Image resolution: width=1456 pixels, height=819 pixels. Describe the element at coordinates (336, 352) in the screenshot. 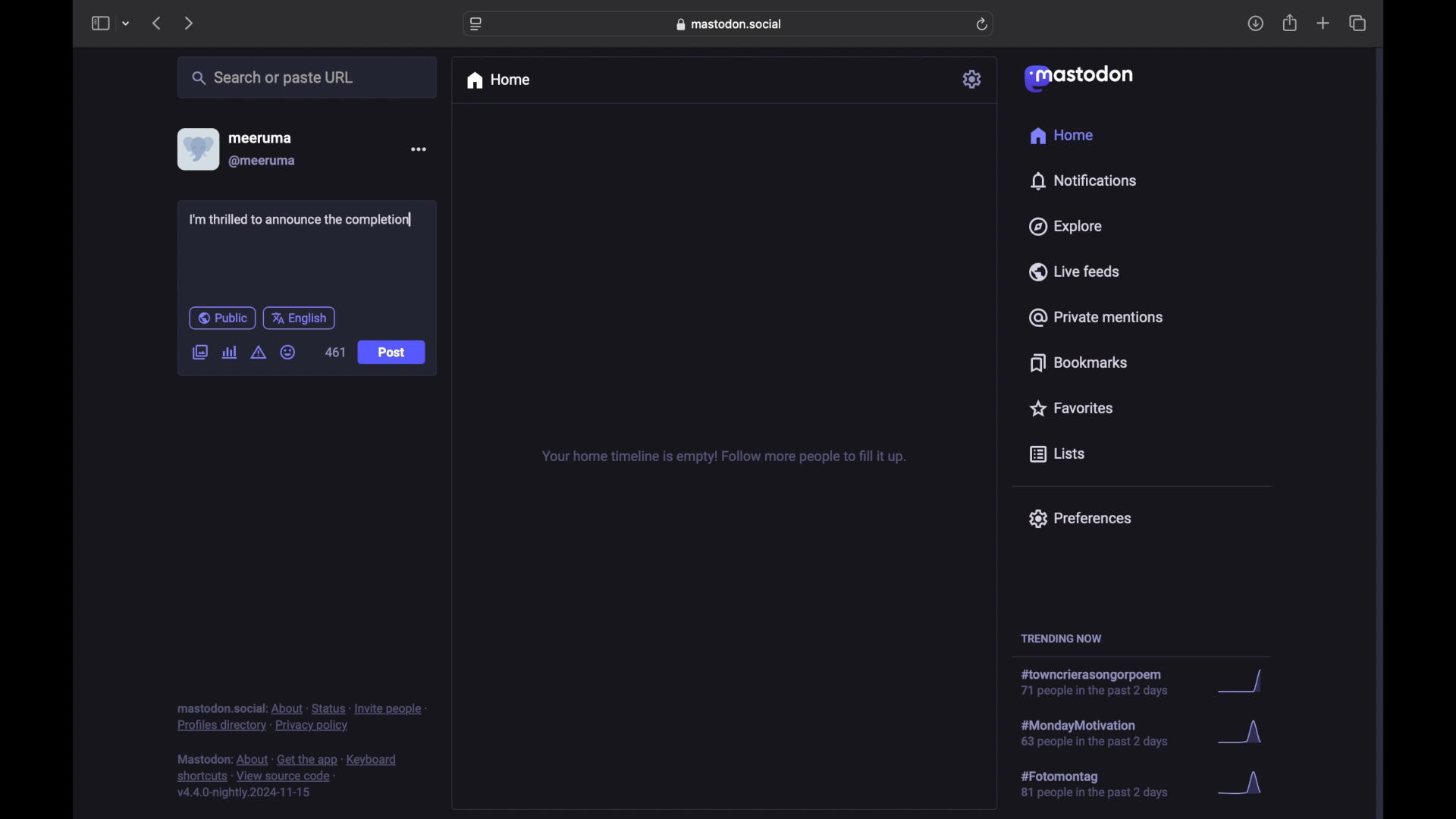

I see `461` at that location.